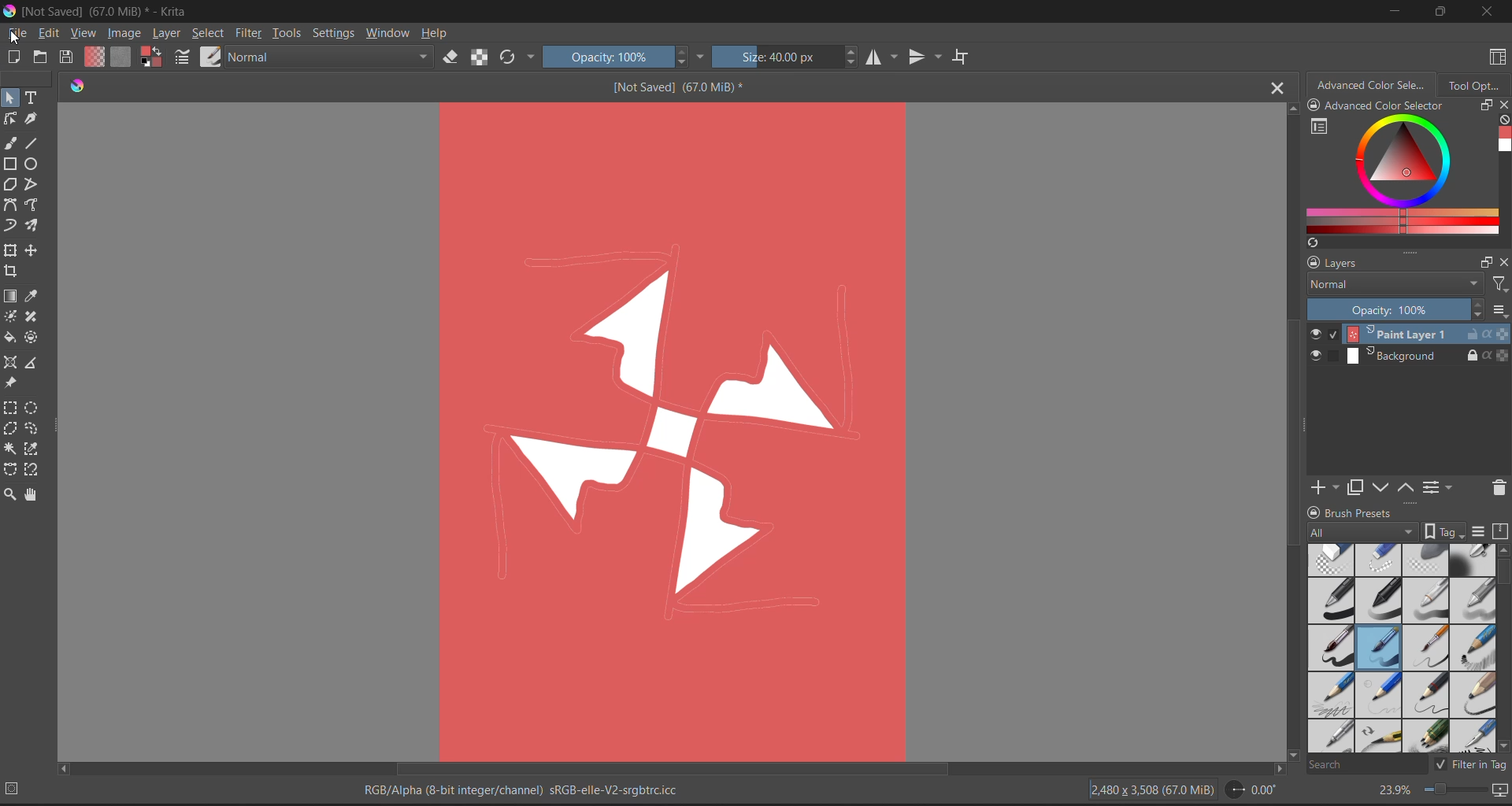  I want to click on minimize, so click(1396, 14).